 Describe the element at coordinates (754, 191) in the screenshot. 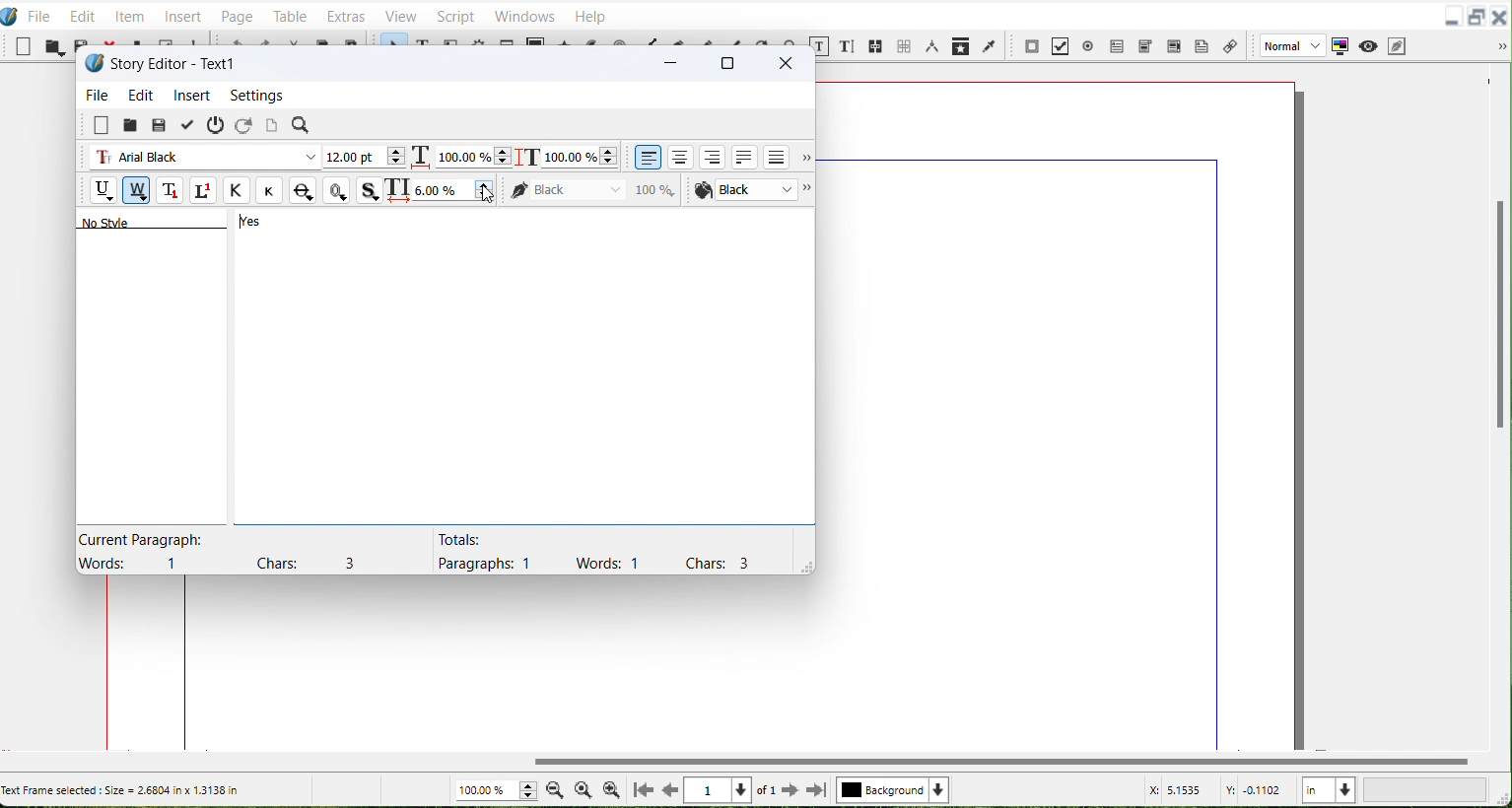

I see `Font color` at that location.